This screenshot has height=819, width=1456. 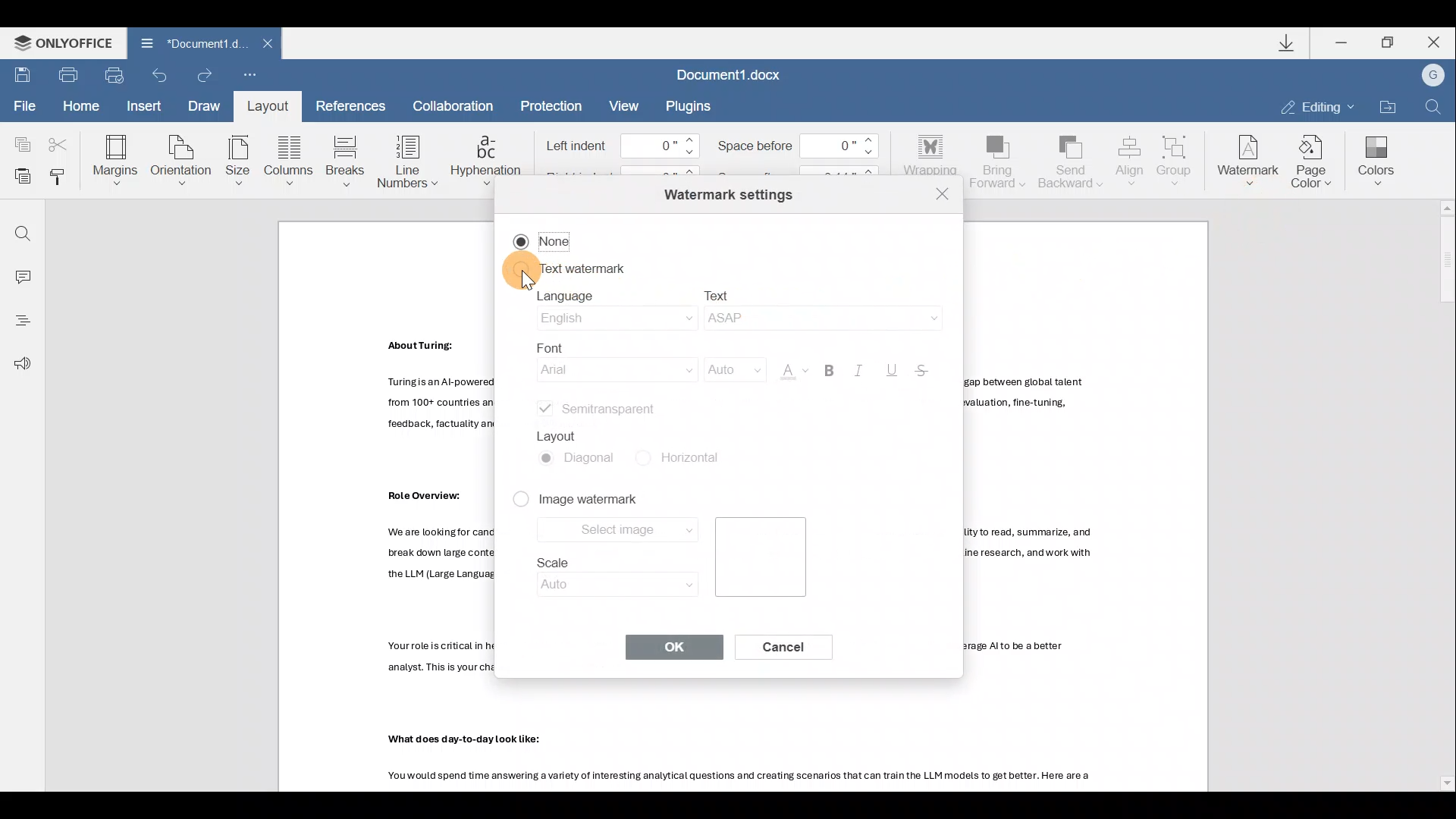 I want to click on Layout, so click(x=272, y=107).